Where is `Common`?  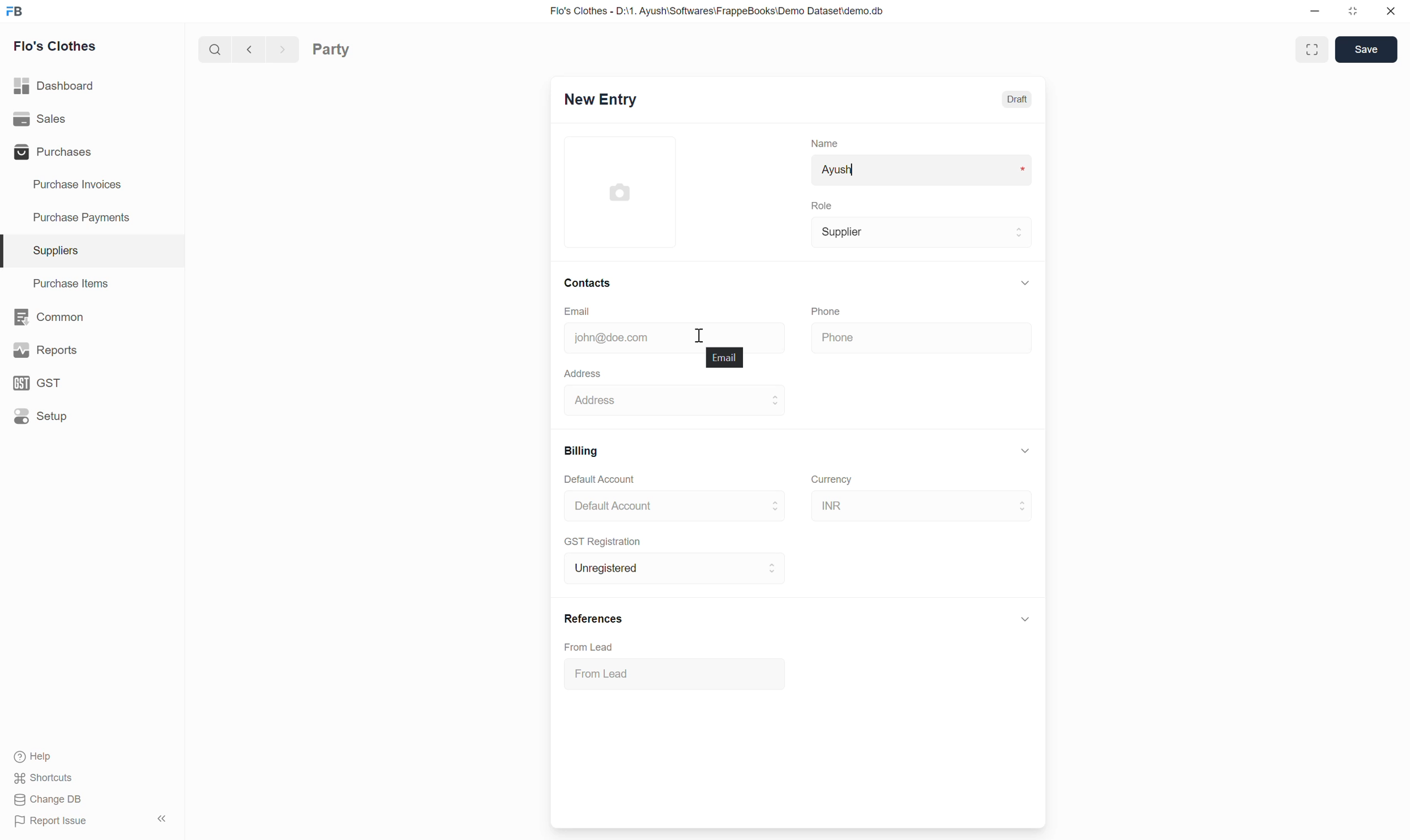
Common is located at coordinates (91, 317).